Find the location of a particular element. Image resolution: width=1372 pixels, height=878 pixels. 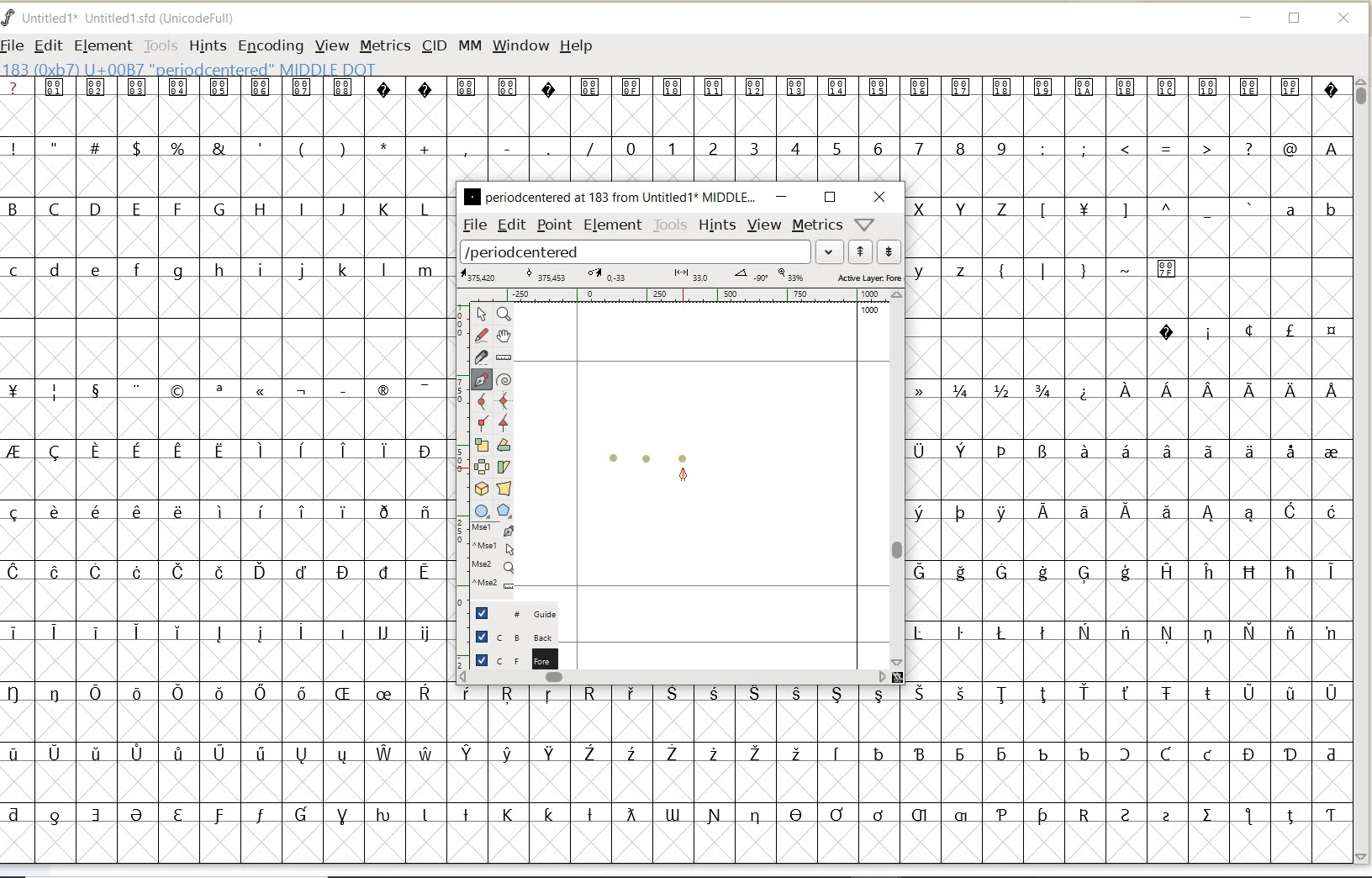

special characters is located at coordinates (1247, 331).